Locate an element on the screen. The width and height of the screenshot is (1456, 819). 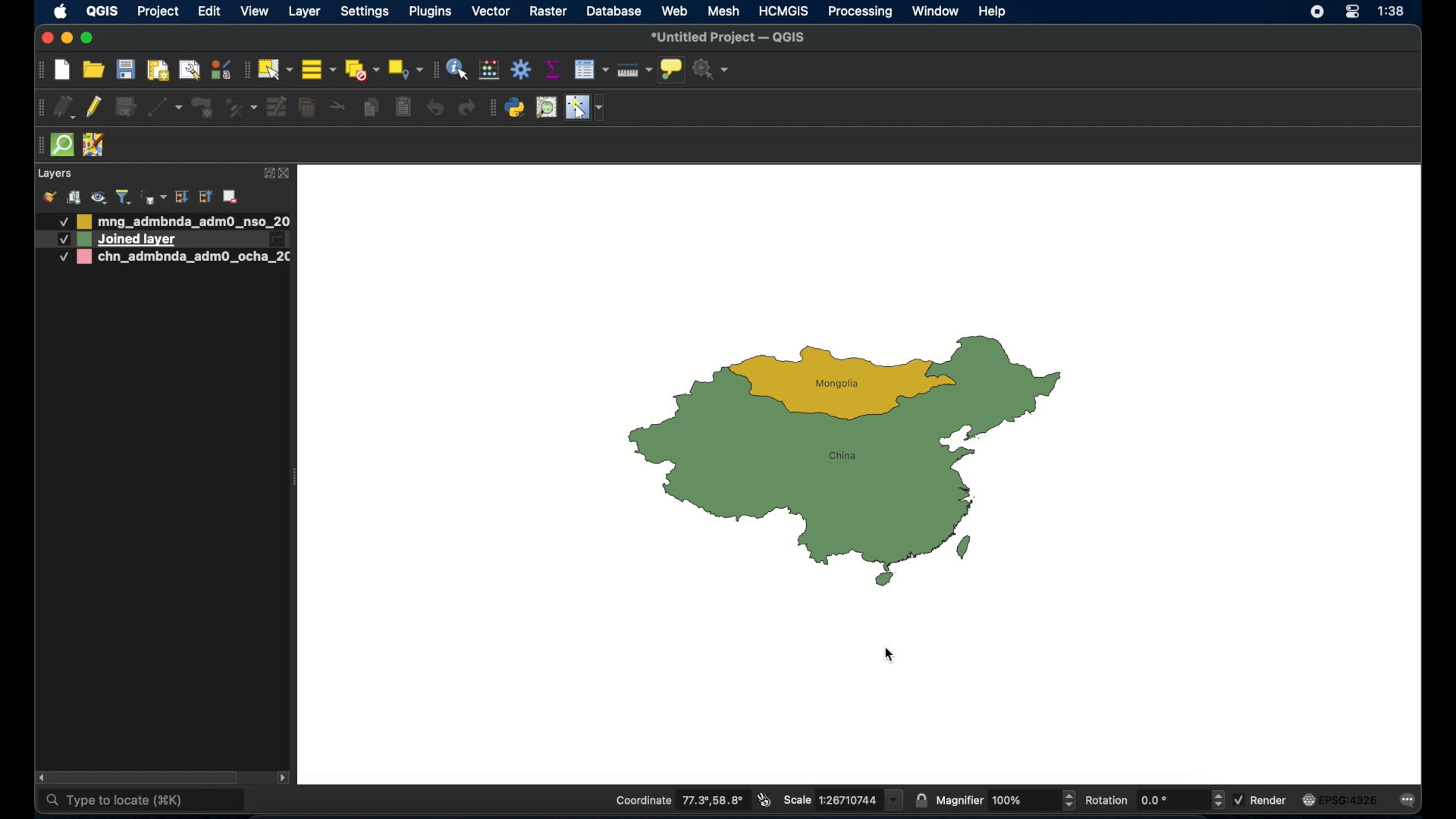
collapse is located at coordinates (205, 197).